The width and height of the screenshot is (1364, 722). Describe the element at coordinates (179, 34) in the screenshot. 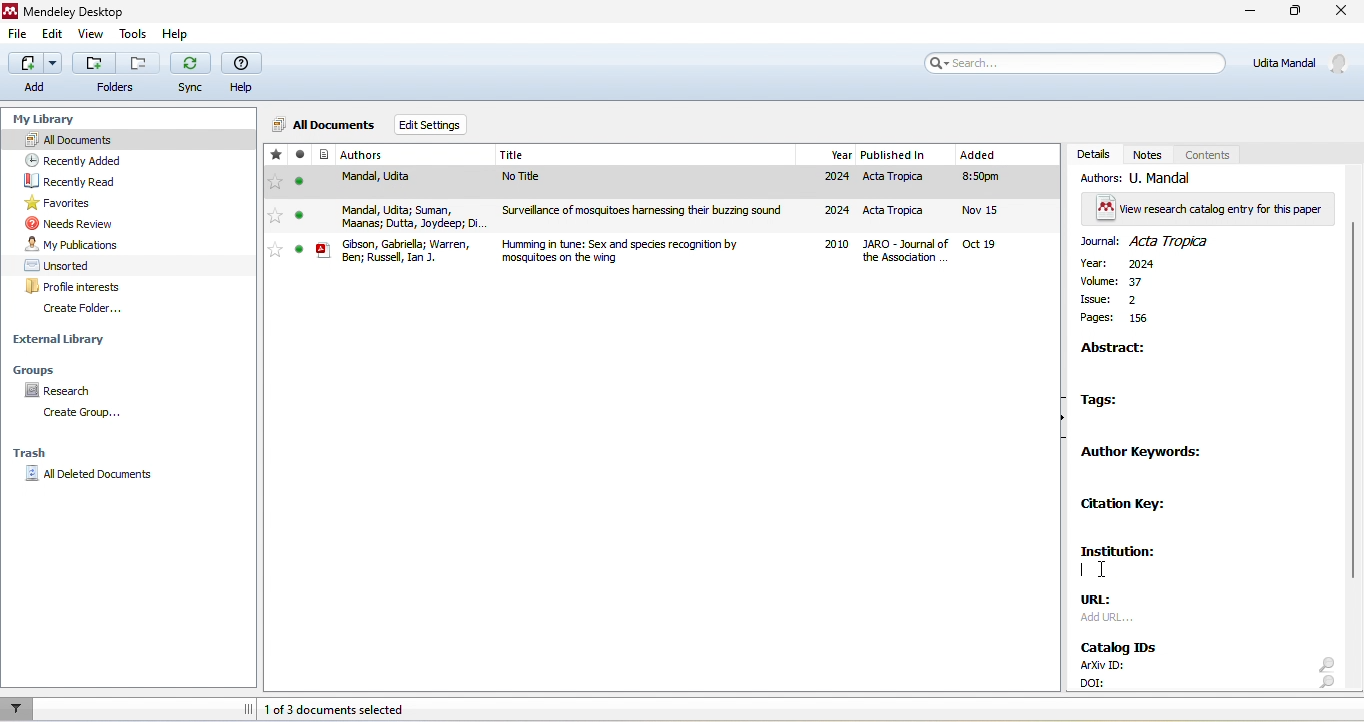

I see `help` at that location.